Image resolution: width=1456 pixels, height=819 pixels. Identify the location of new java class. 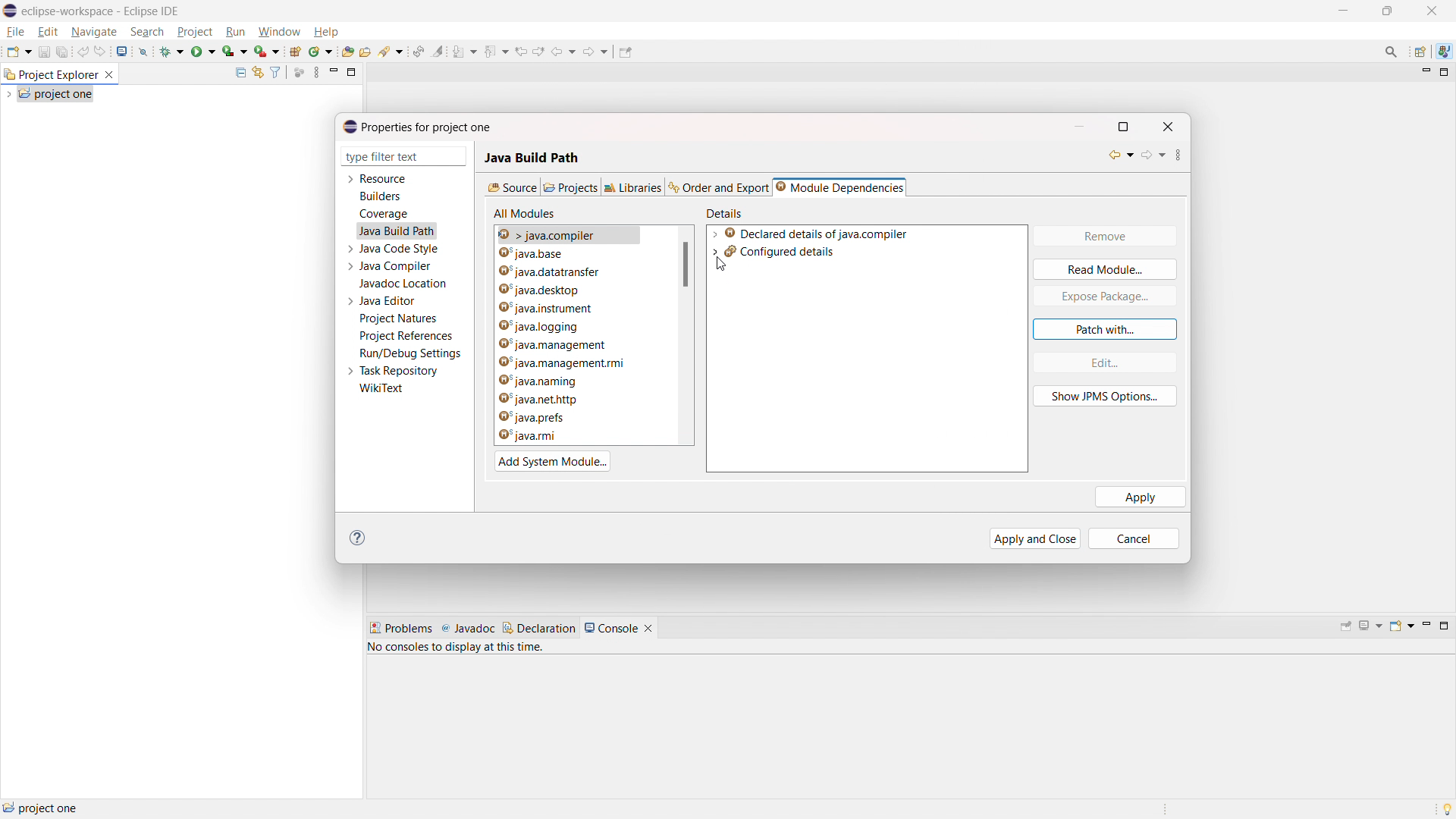
(321, 52).